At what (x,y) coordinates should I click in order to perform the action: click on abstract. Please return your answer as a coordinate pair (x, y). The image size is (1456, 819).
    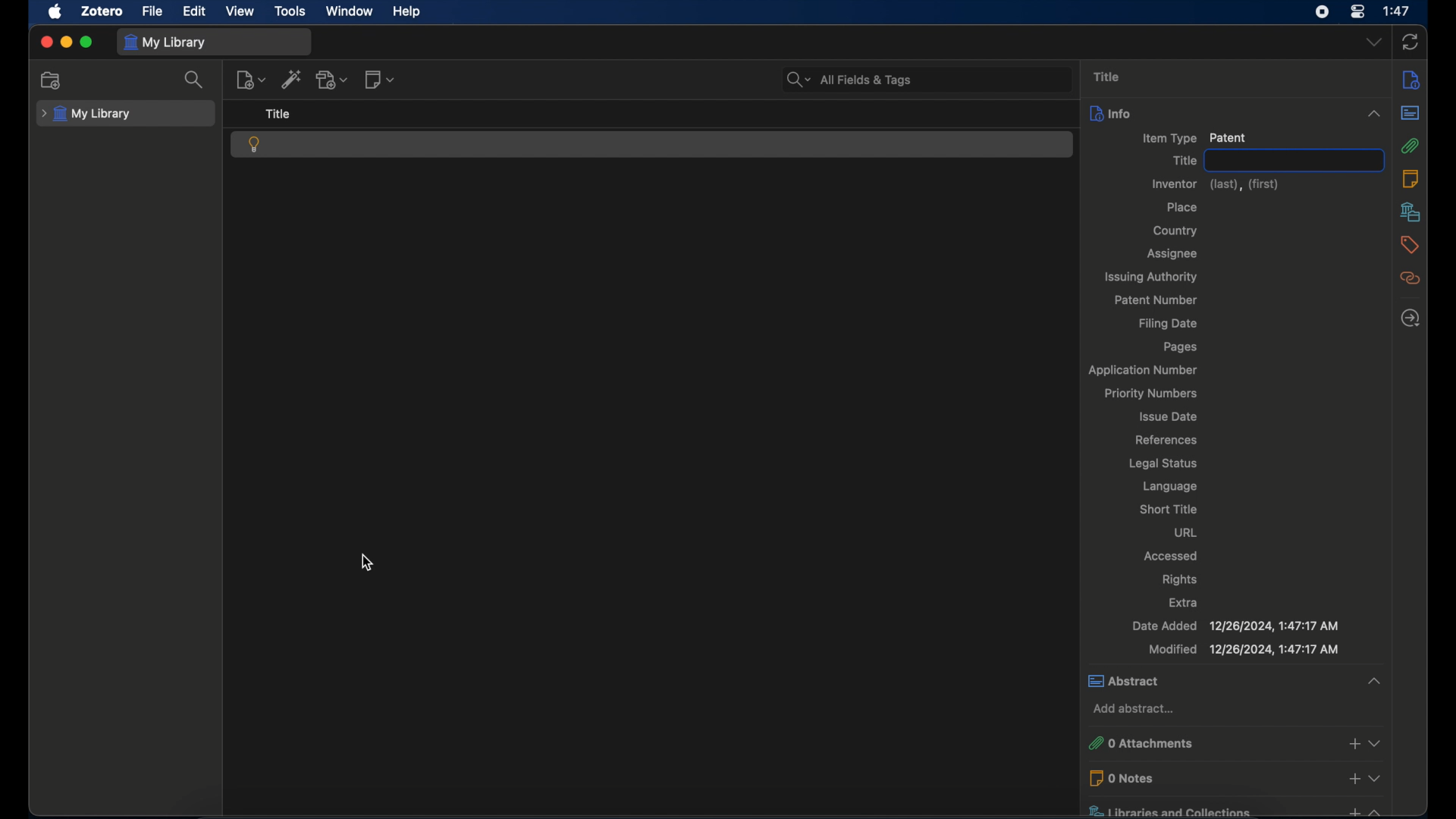
    Looking at the image, I should click on (1207, 682).